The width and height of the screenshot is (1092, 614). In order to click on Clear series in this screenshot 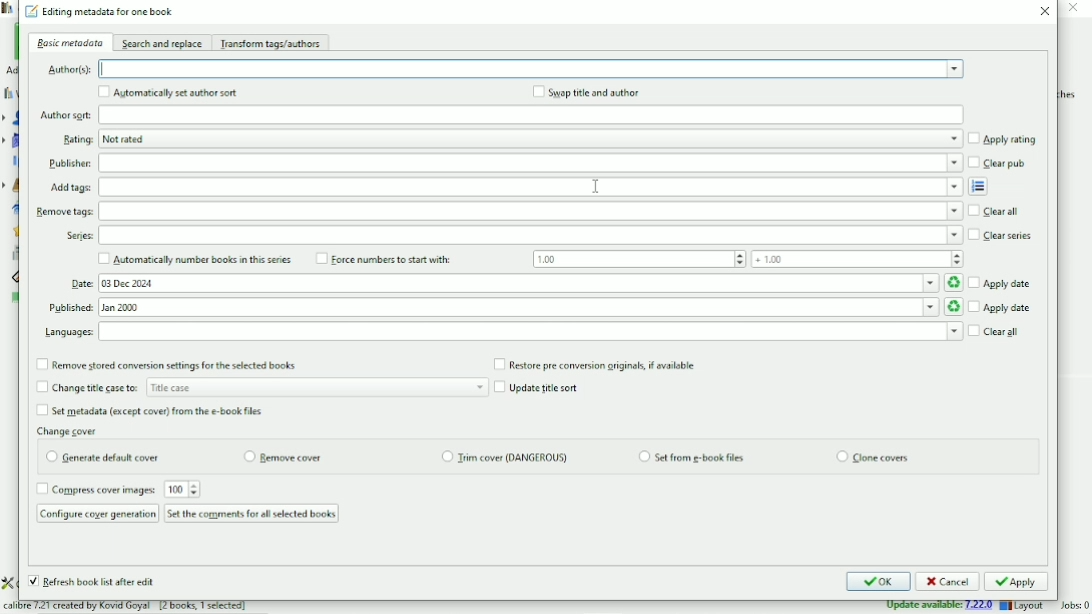, I will do `click(1002, 236)`.